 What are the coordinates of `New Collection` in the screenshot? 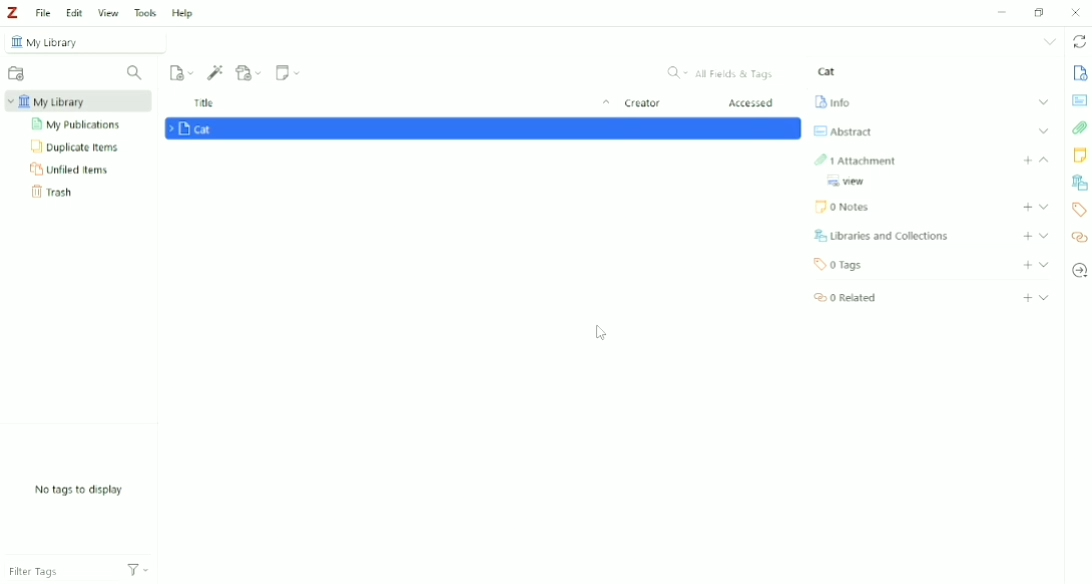 It's located at (17, 75).